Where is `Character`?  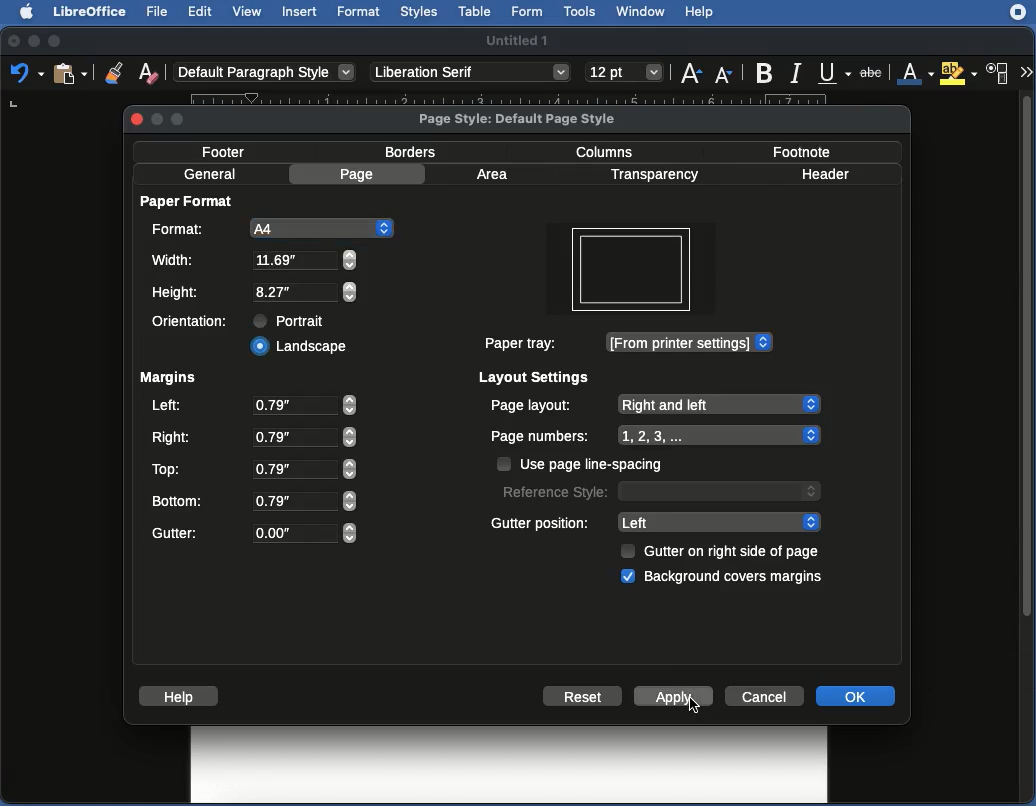 Character is located at coordinates (1000, 73).